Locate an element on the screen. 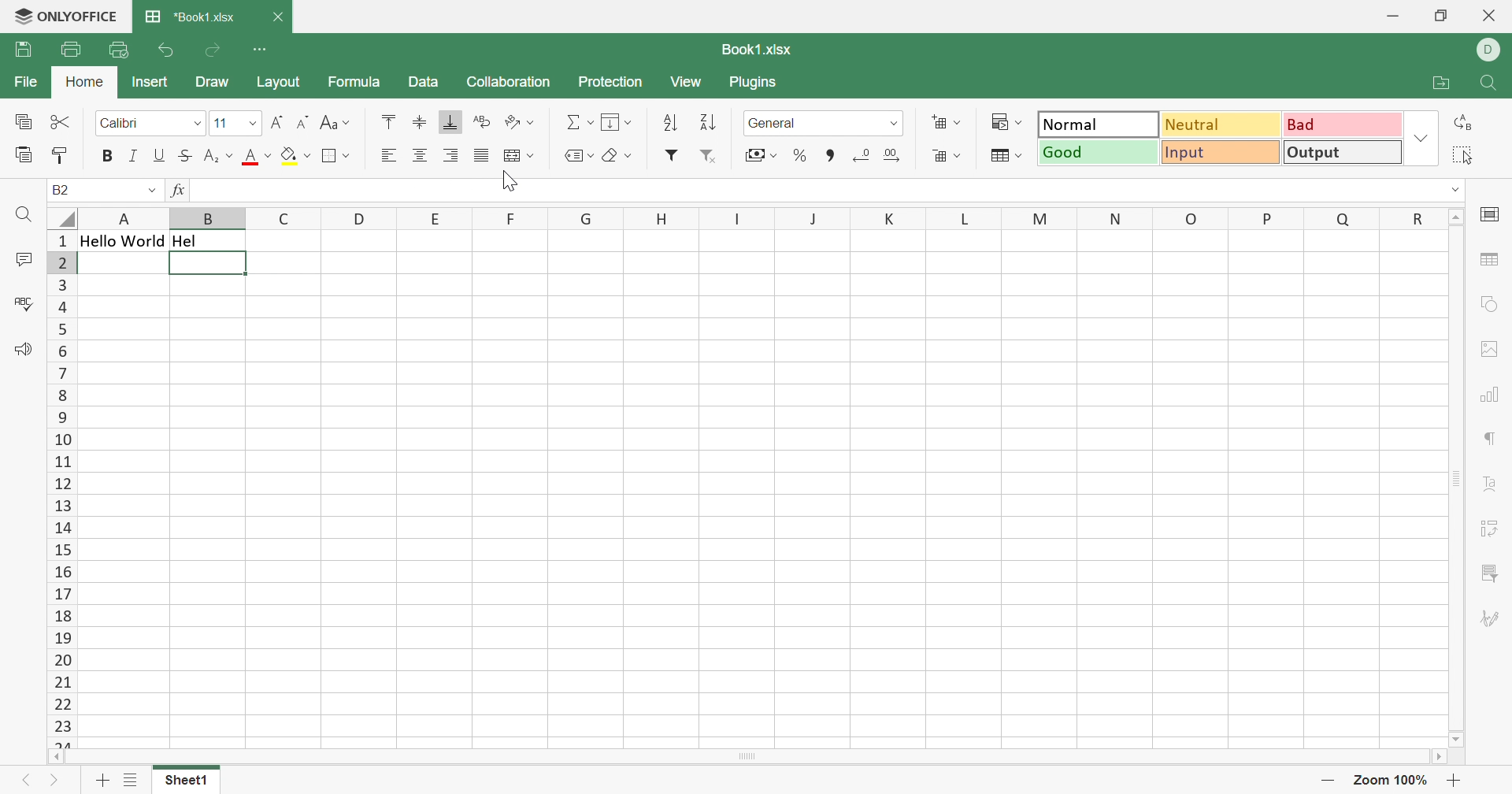 The height and width of the screenshot is (794, 1512). Subscript is located at coordinates (216, 157).